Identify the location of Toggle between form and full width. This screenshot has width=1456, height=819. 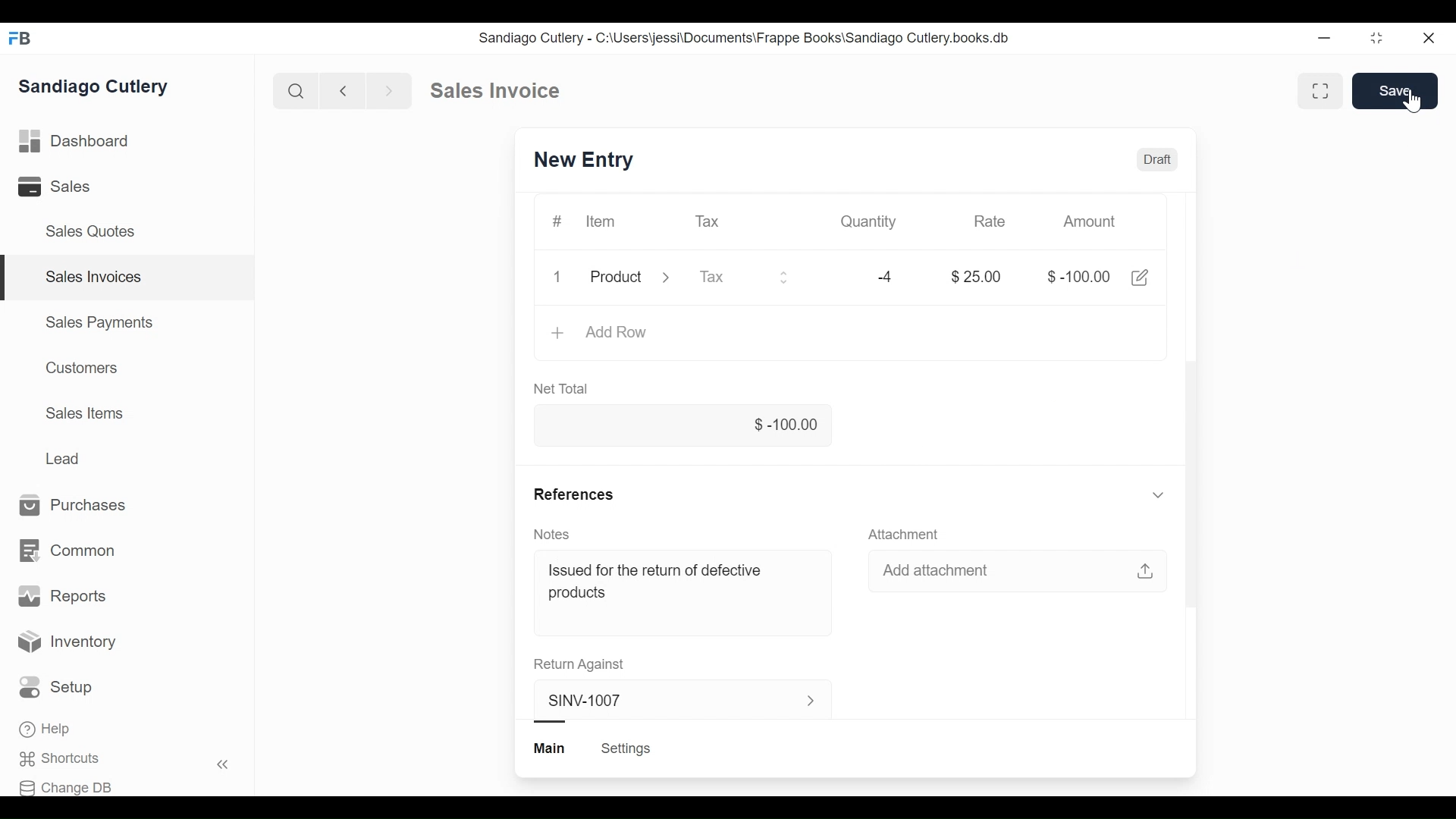
(1377, 39).